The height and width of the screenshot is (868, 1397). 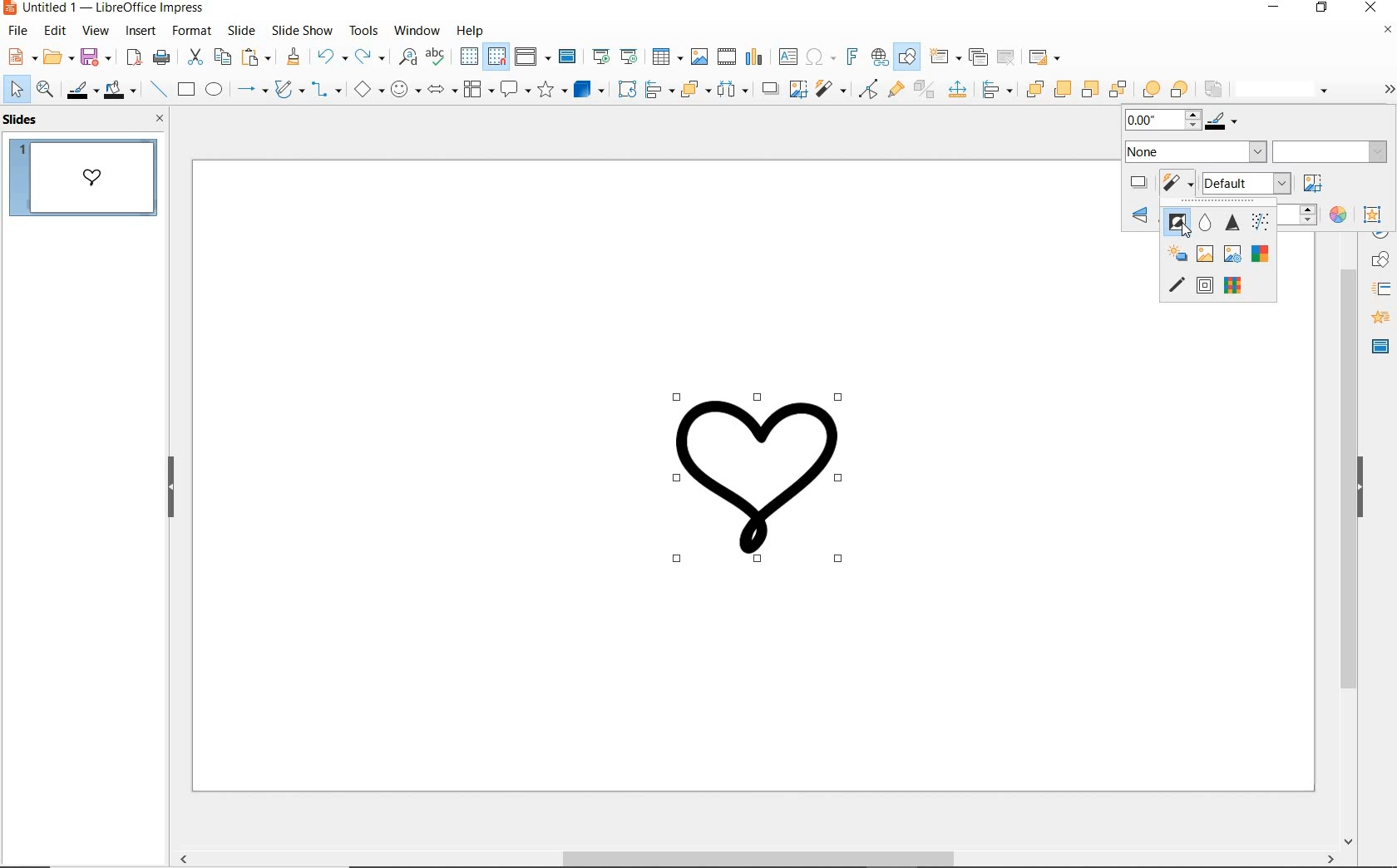 I want to click on aging, so click(x=1203, y=254).